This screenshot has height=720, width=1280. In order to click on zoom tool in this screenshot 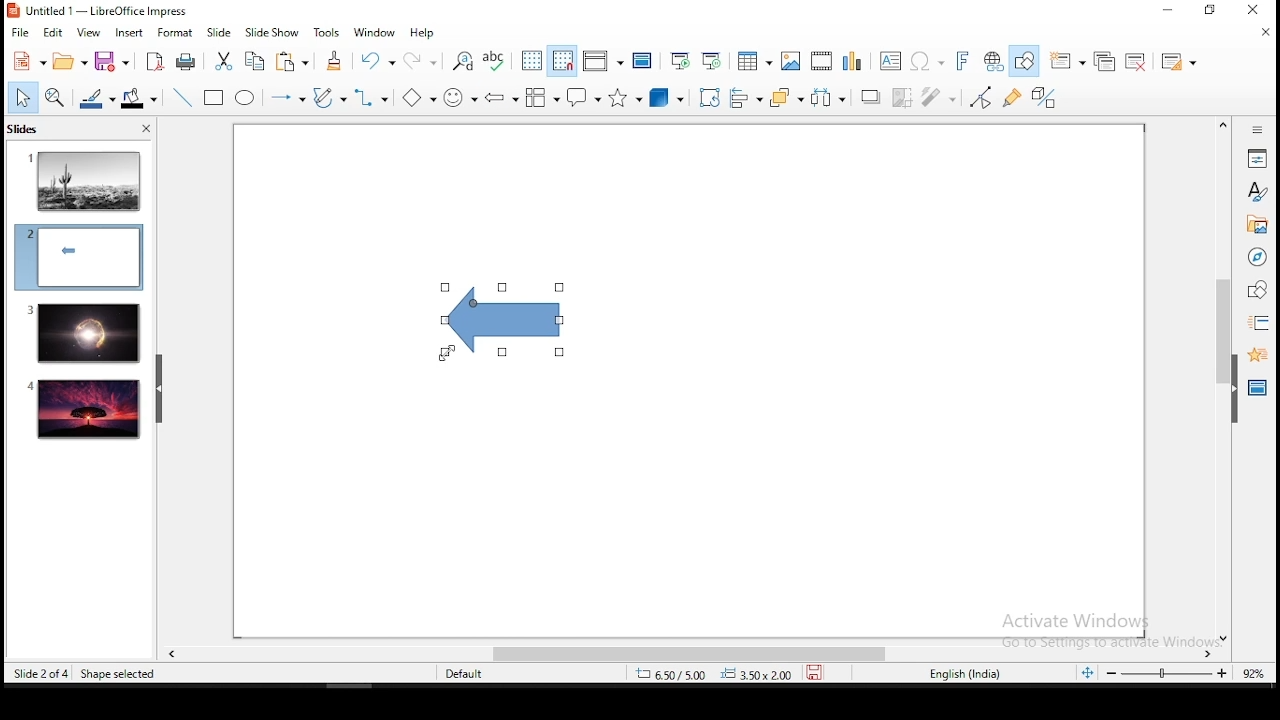, I will do `click(55, 99)`.